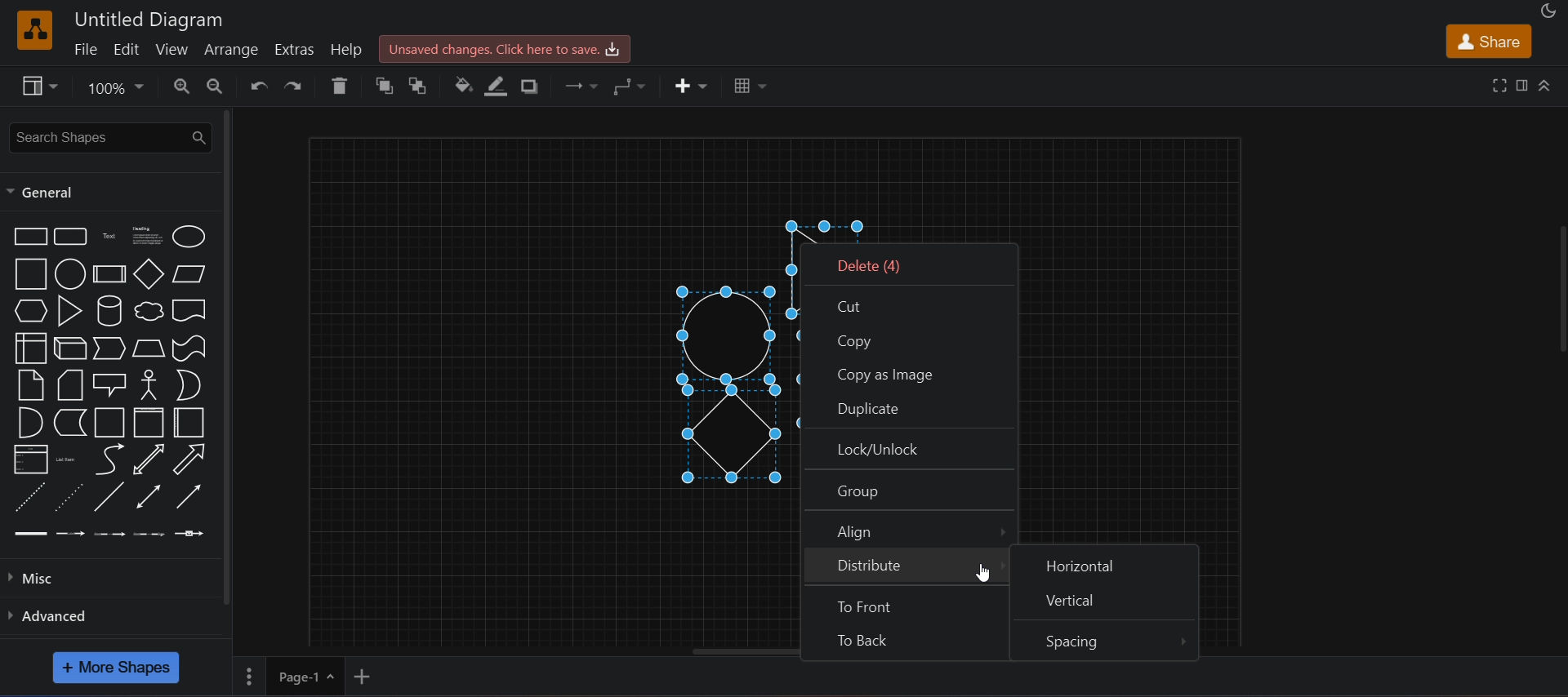 The height and width of the screenshot is (697, 1568). What do you see at coordinates (150, 459) in the screenshot?
I see `bidirectional arrow` at bounding box center [150, 459].